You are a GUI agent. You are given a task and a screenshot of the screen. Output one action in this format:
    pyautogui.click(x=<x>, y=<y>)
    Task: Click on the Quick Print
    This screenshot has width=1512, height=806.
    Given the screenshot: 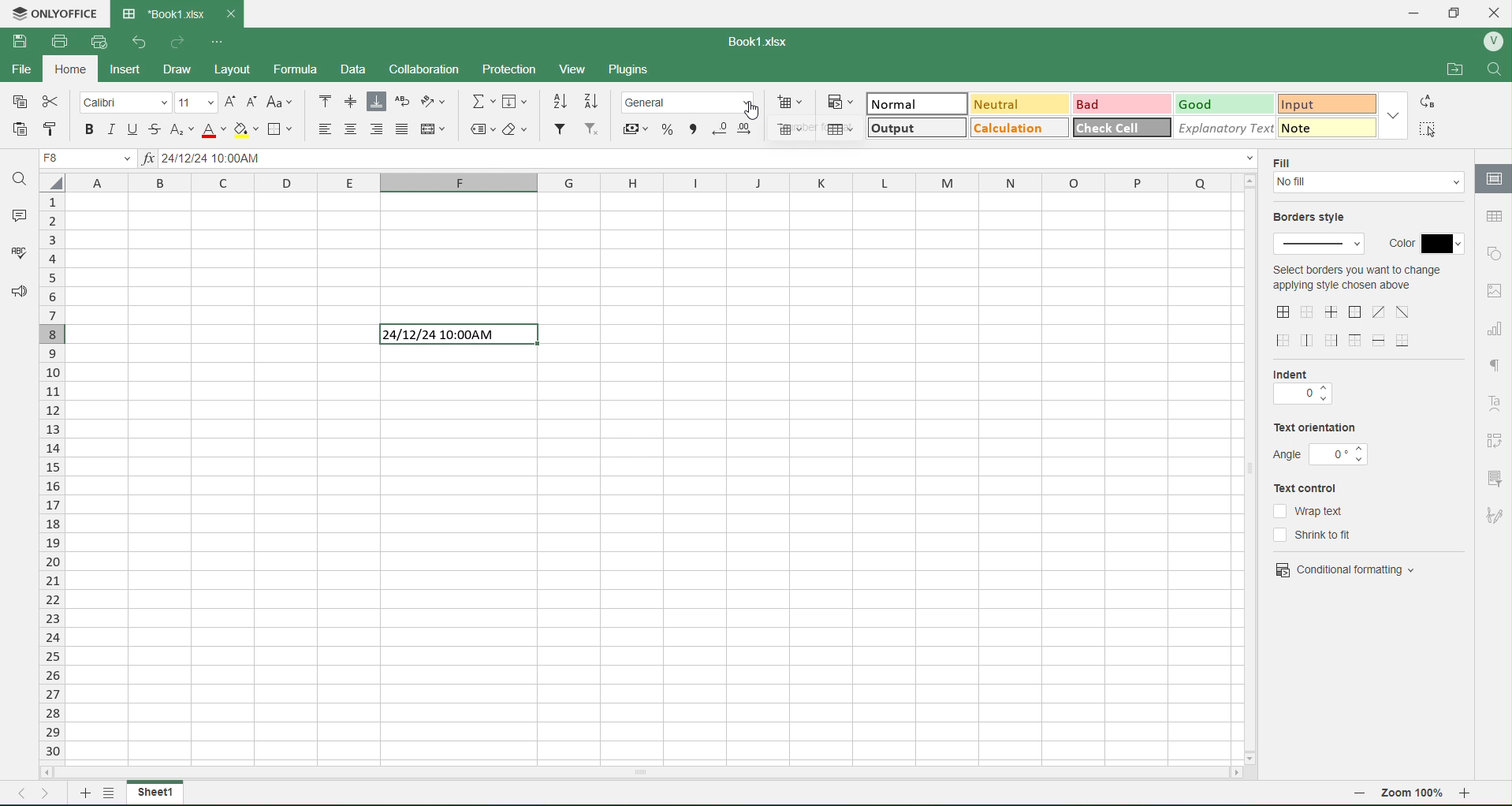 What is the action you would take?
    pyautogui.click(x=97, y=43)
    